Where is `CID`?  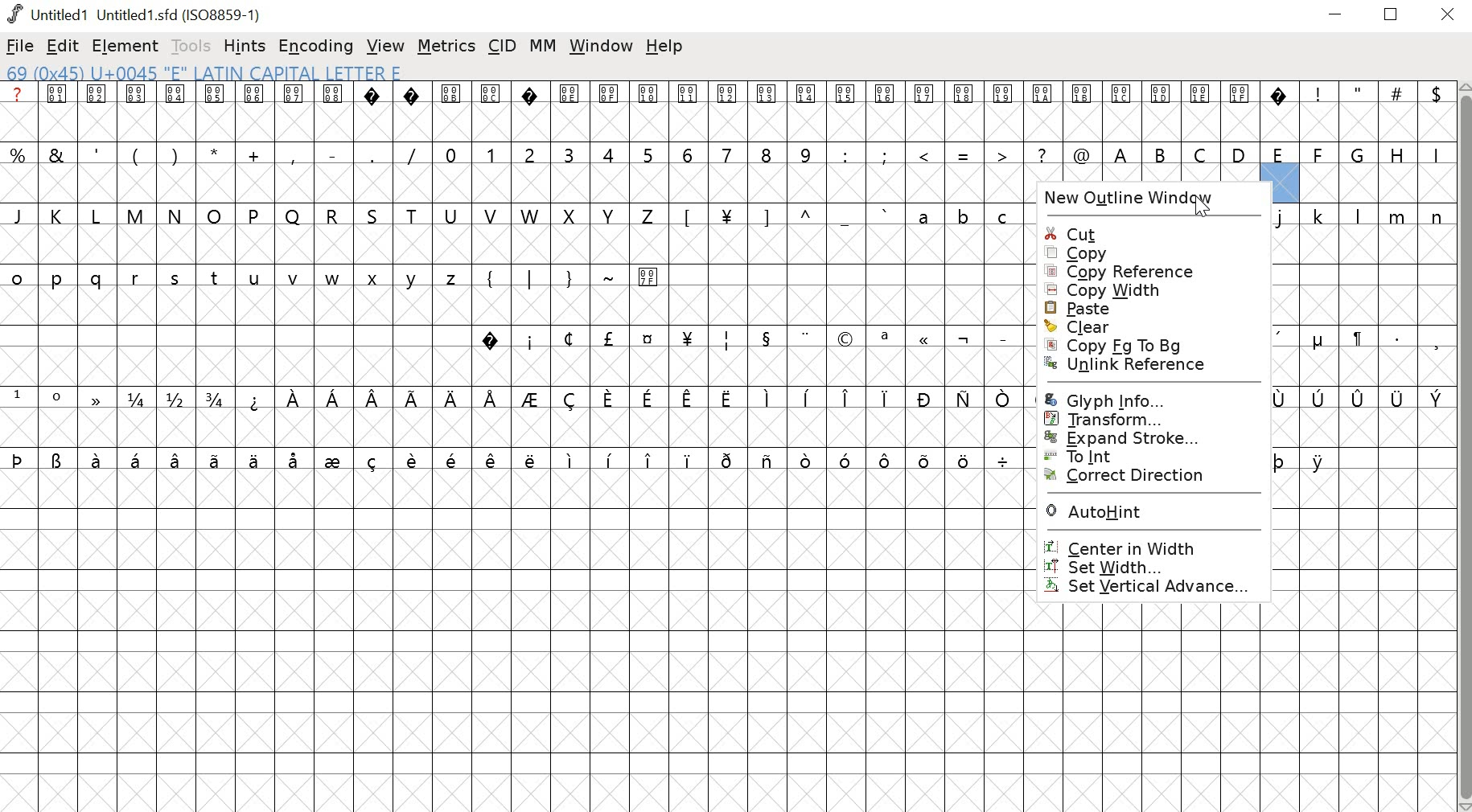
CID is located at coordinates (502, 47).